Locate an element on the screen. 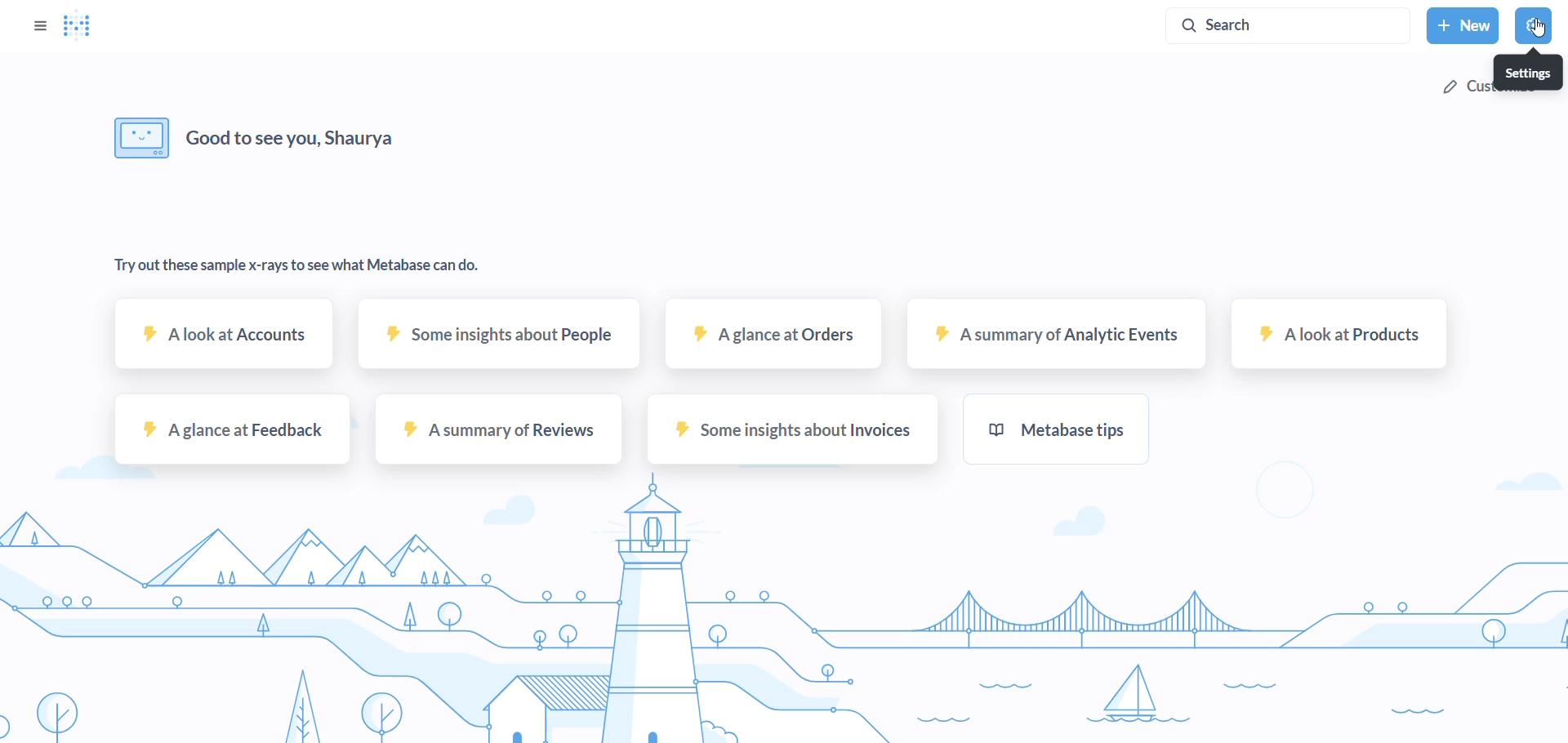 The image size is (1568, 743). Logo is located at coordinates (80, 26).